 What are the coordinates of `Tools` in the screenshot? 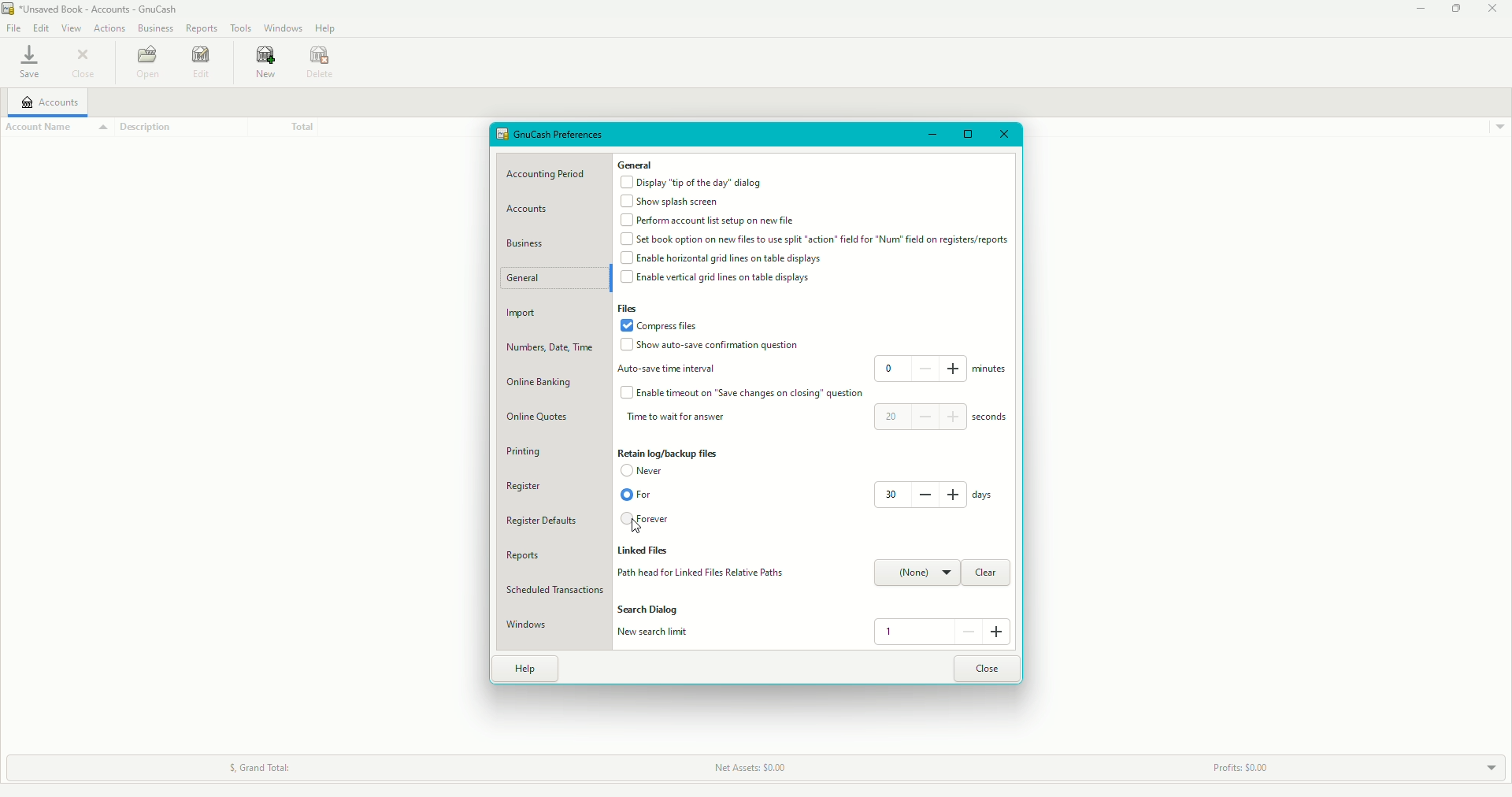 It's located at (243, 27).